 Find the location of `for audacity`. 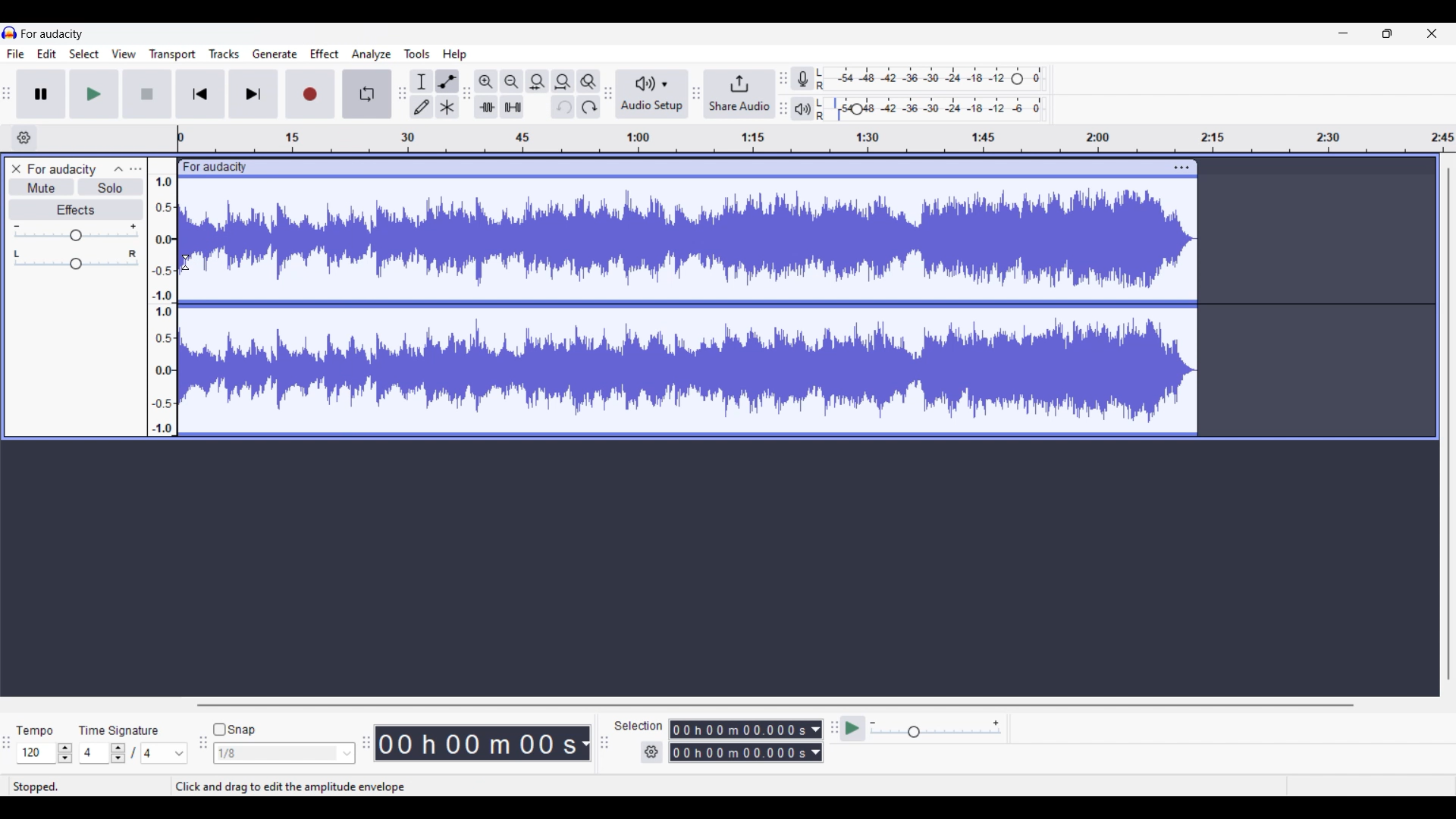

for audacity is located at coordinates (62, 169).